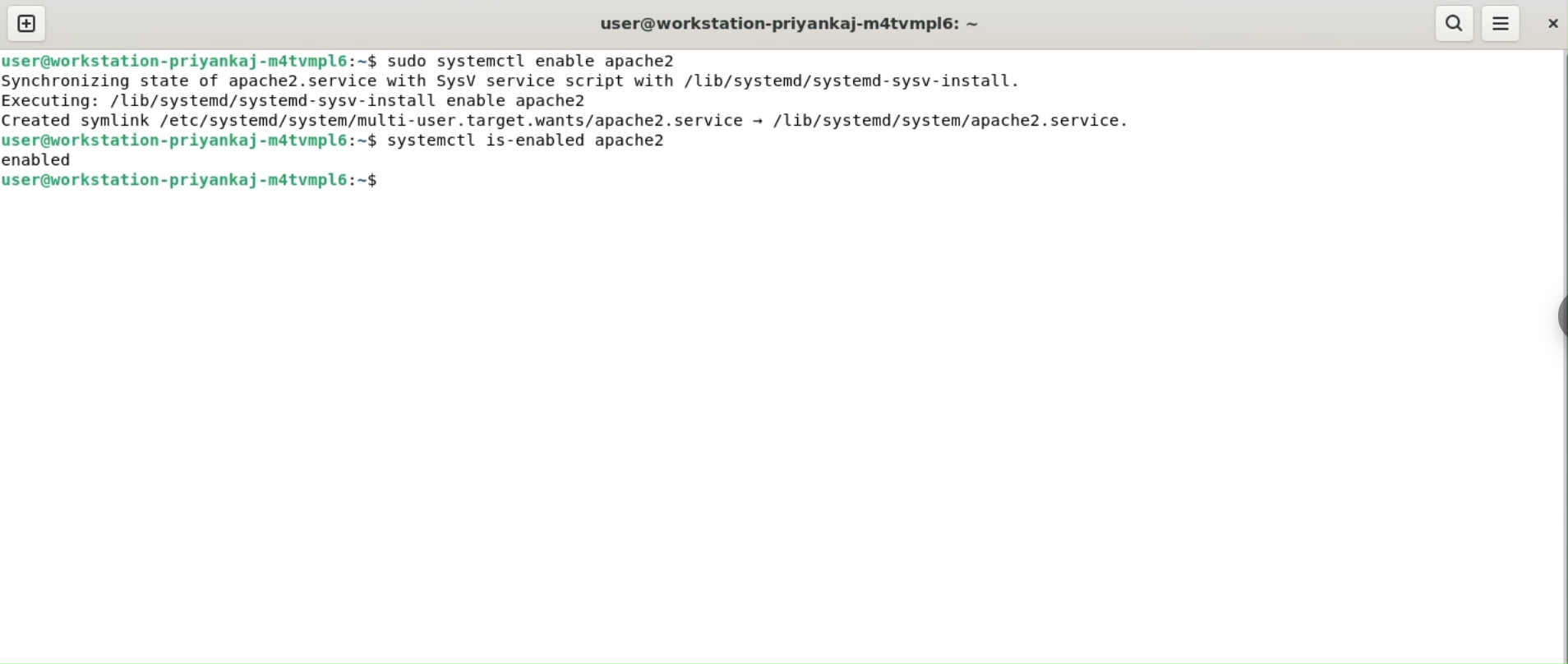 The image size is (1568, 664). Describe the element at coordinates (1550, 22) in the screenshot. I see `close` at that location.